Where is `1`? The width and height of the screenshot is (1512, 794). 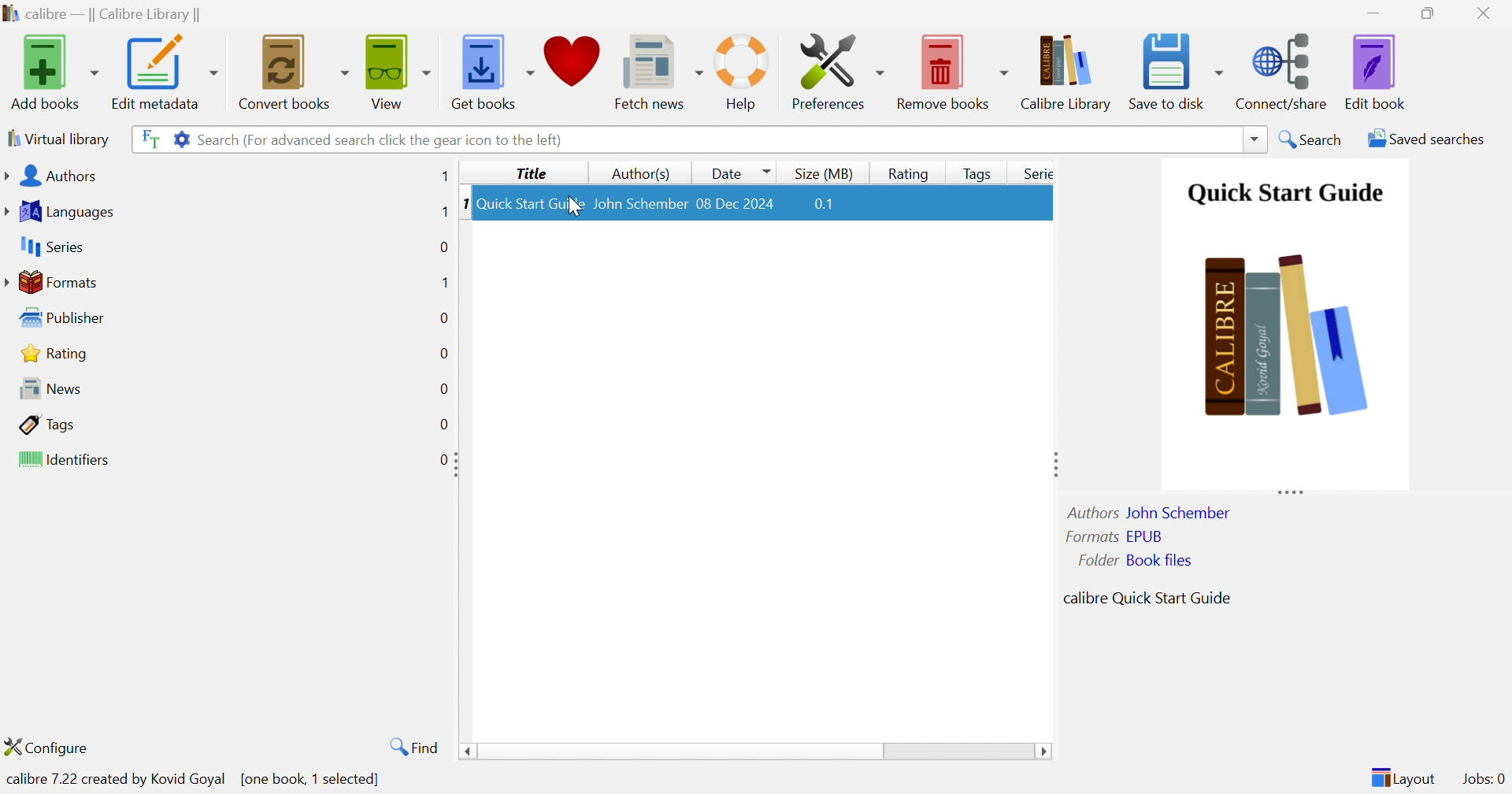 1 is located at coordinates (444, 176).